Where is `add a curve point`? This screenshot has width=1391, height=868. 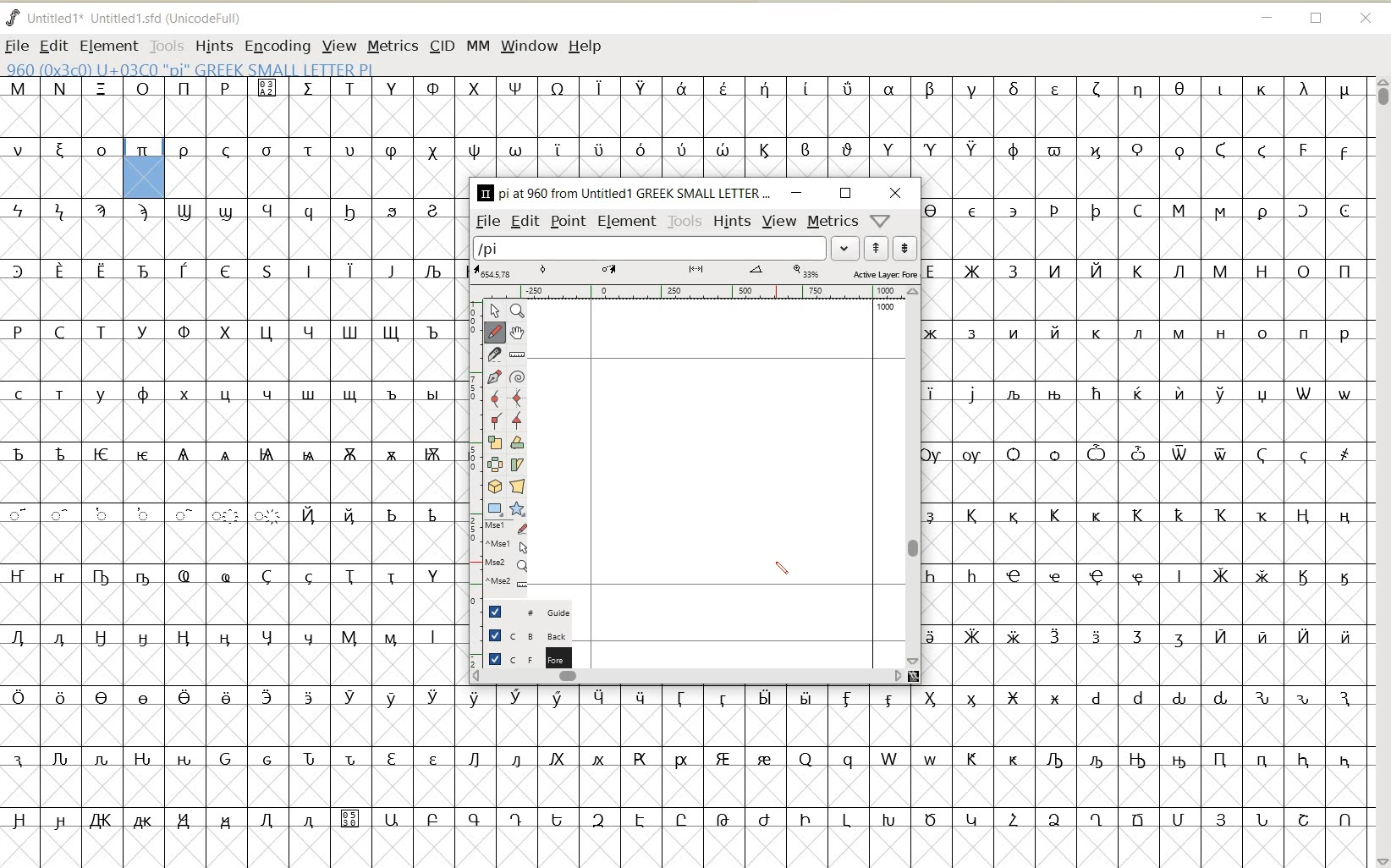
add a curve point is located at coordinates (494, 397).